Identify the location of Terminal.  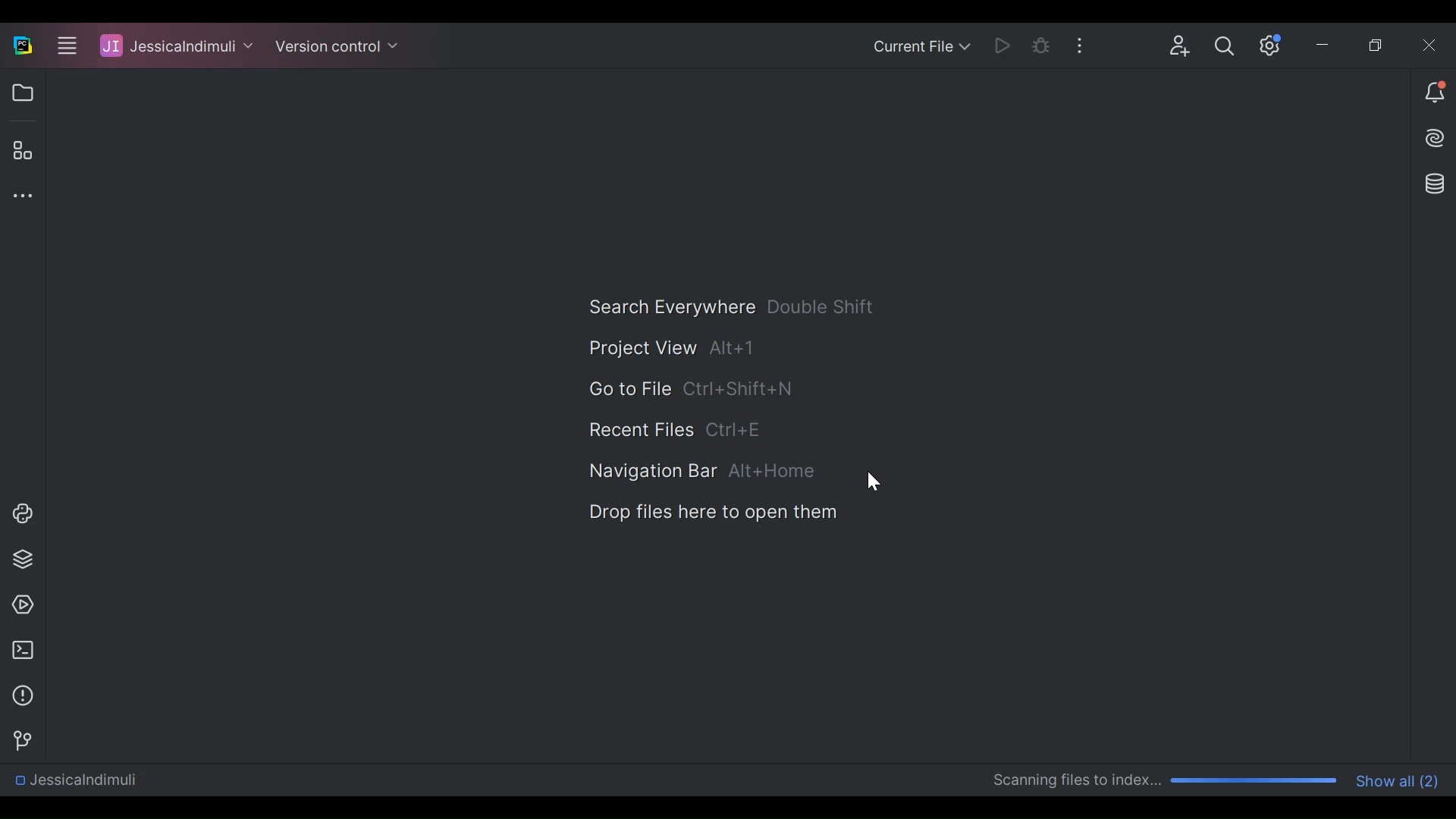
(19, 650).